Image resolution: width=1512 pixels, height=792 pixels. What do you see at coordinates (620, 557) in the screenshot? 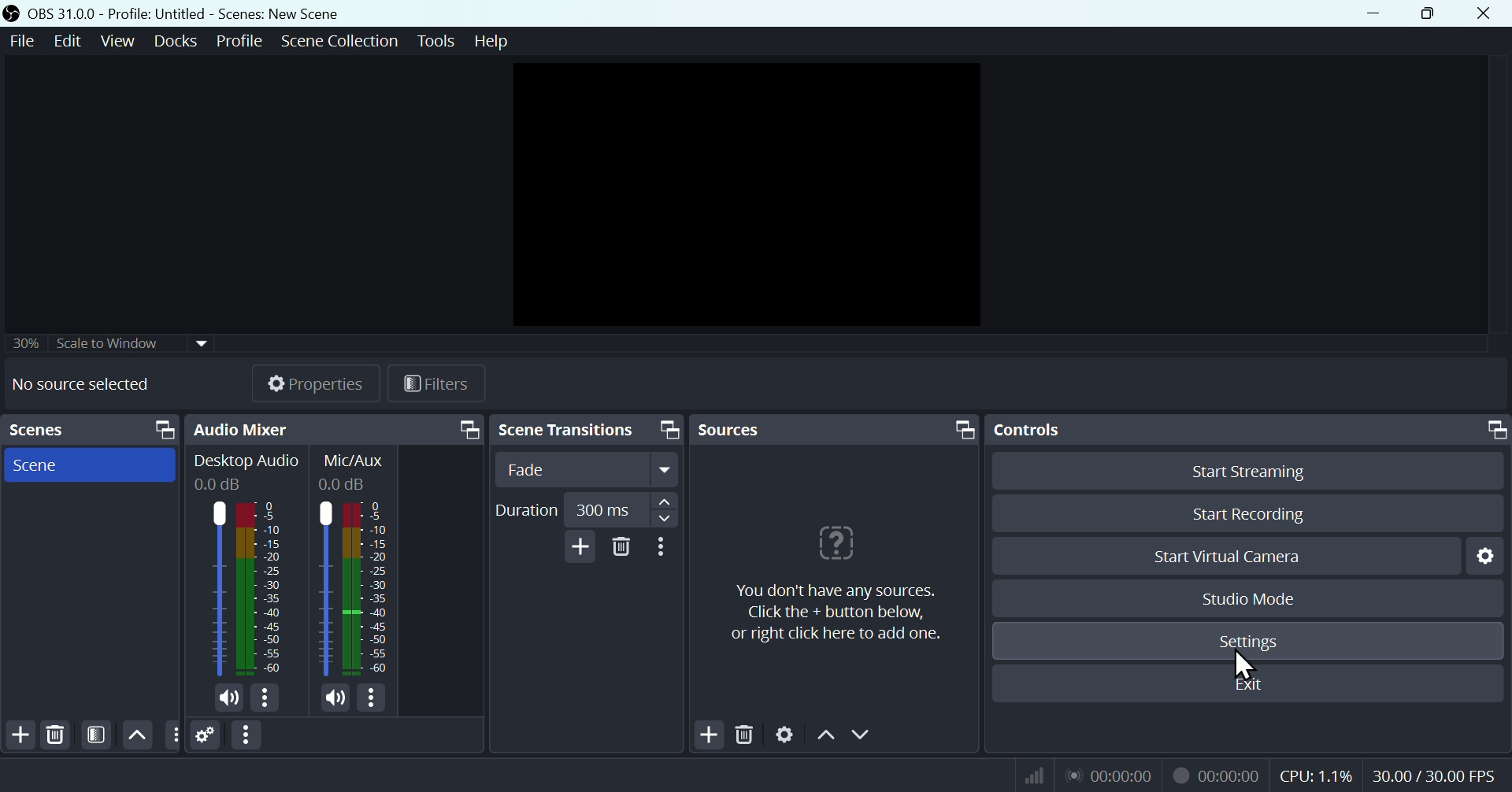
I see `Delete` at bounding box center [620, 557].